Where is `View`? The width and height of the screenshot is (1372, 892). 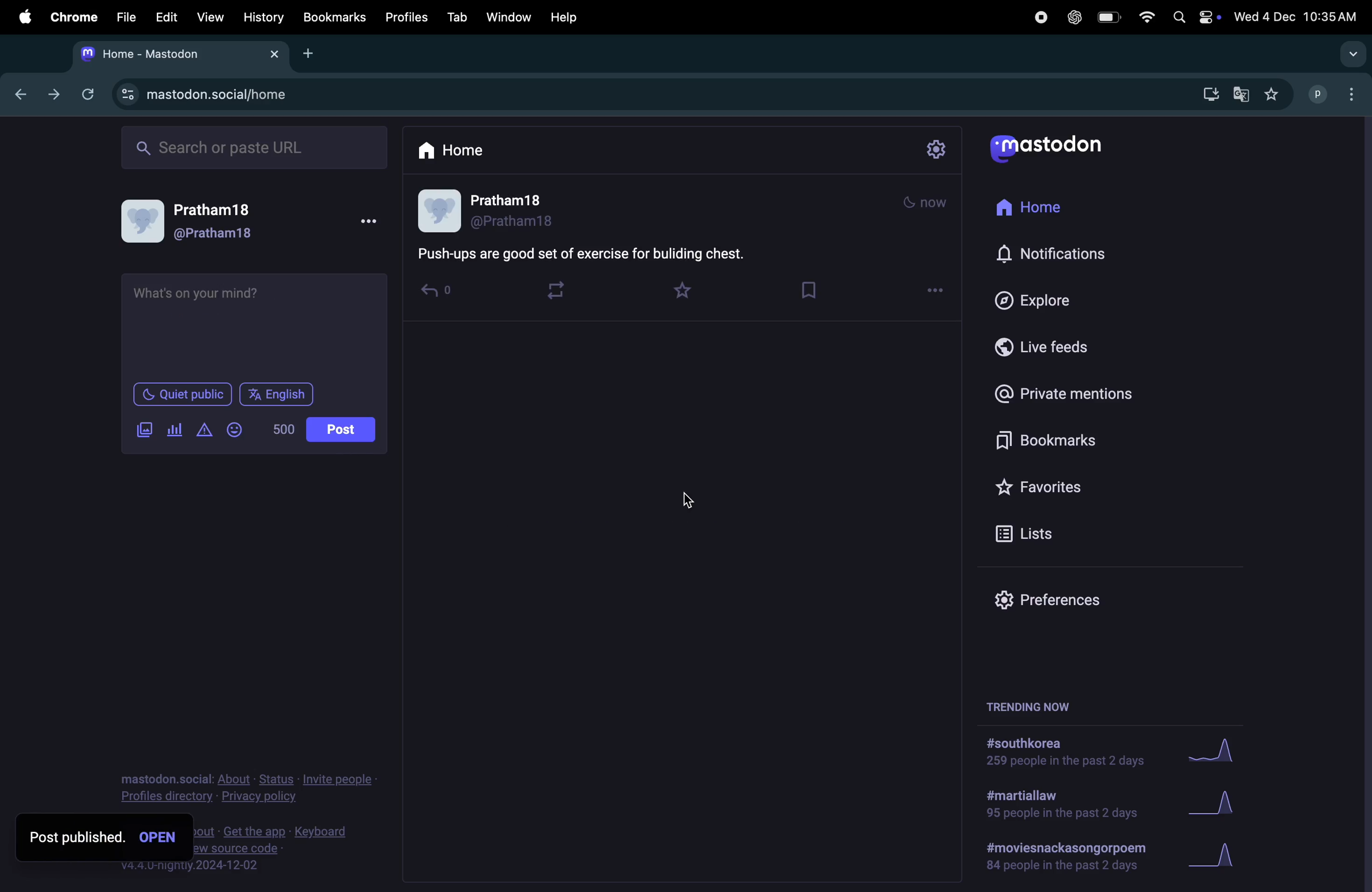
View is located at coordinates (209, 16).